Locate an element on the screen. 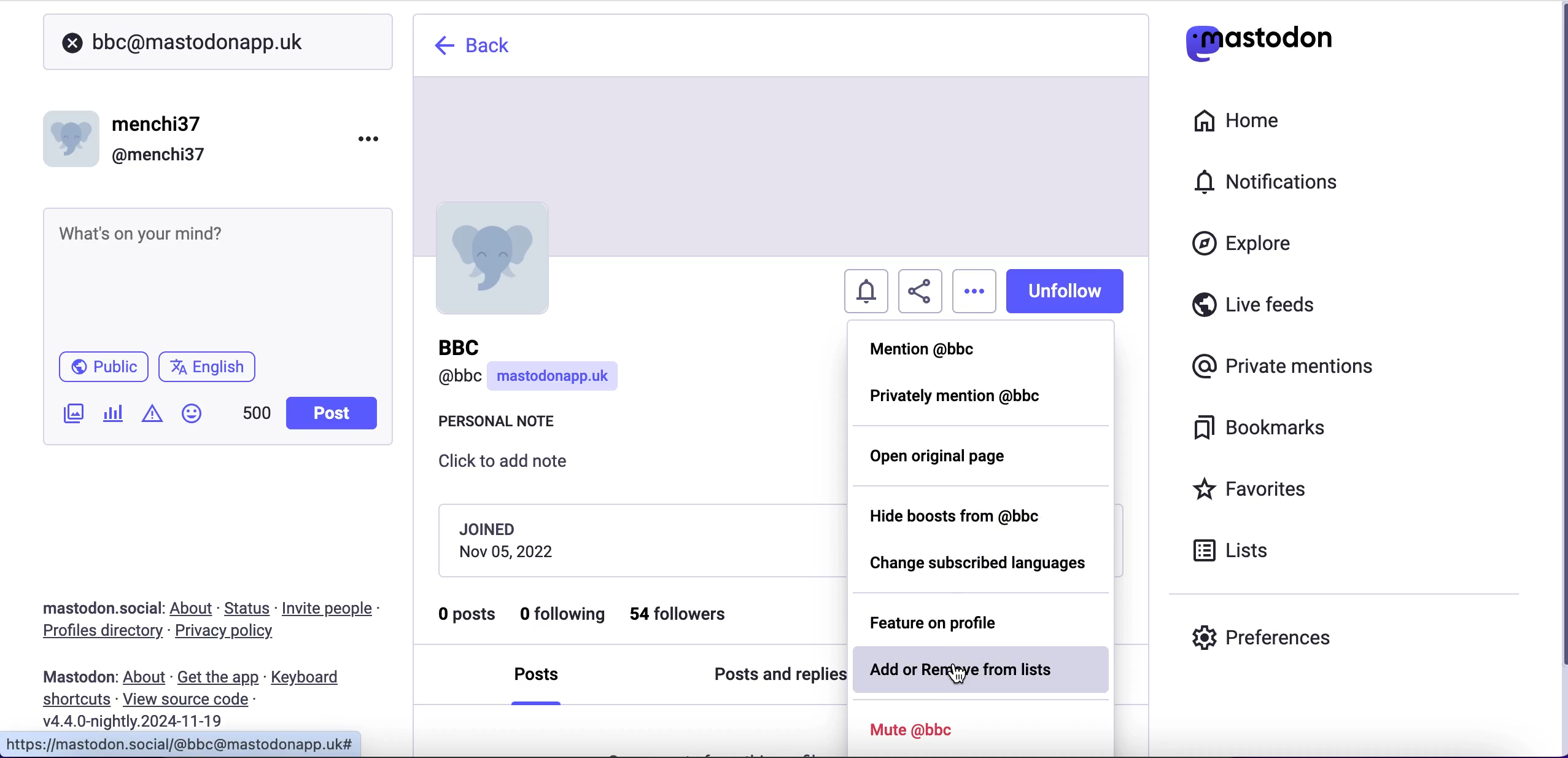  URL is located at coordinates (182, 744).